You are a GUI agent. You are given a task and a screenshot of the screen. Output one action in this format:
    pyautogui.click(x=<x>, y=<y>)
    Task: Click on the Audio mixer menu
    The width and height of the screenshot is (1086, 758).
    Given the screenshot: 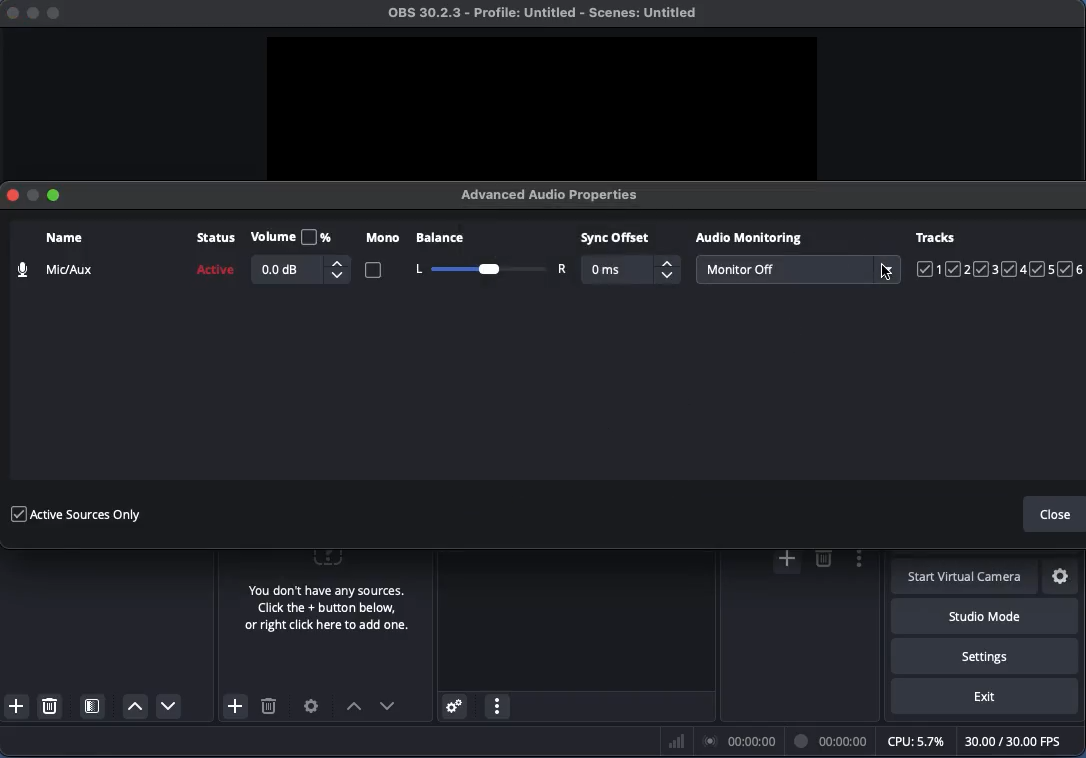 What is the action you would take?
    pyautogui.click(x=497, y=707)
    